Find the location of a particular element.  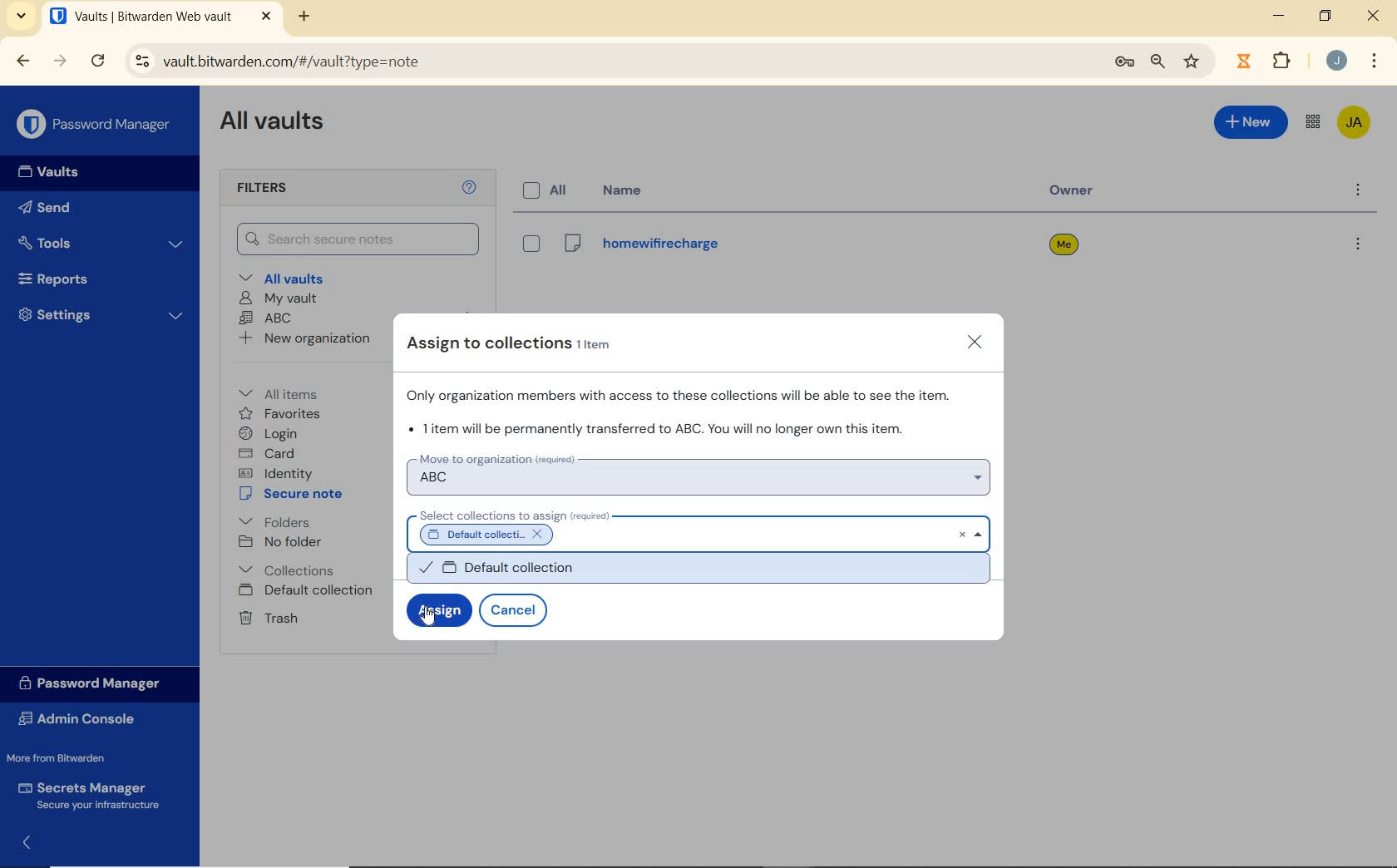

Filters is located at coordinates (281, 189).